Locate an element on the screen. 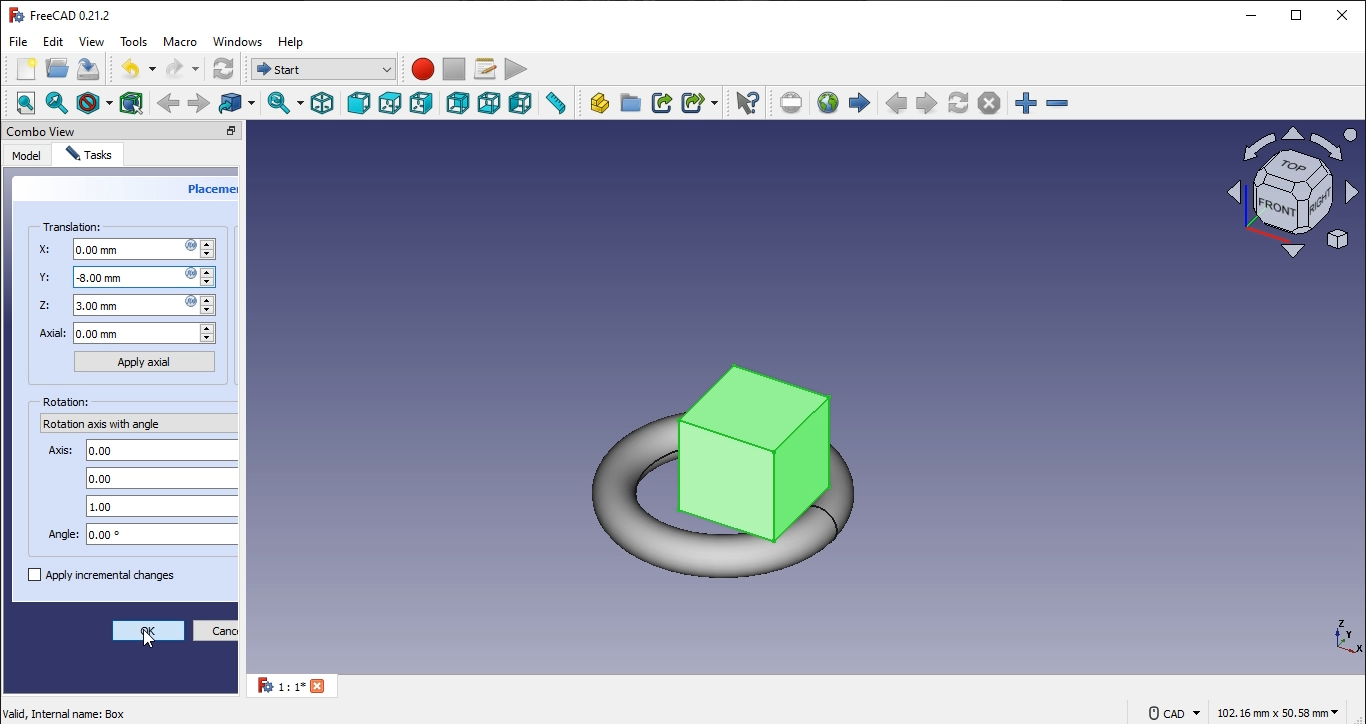  close is located at coordinates (1342, 13).